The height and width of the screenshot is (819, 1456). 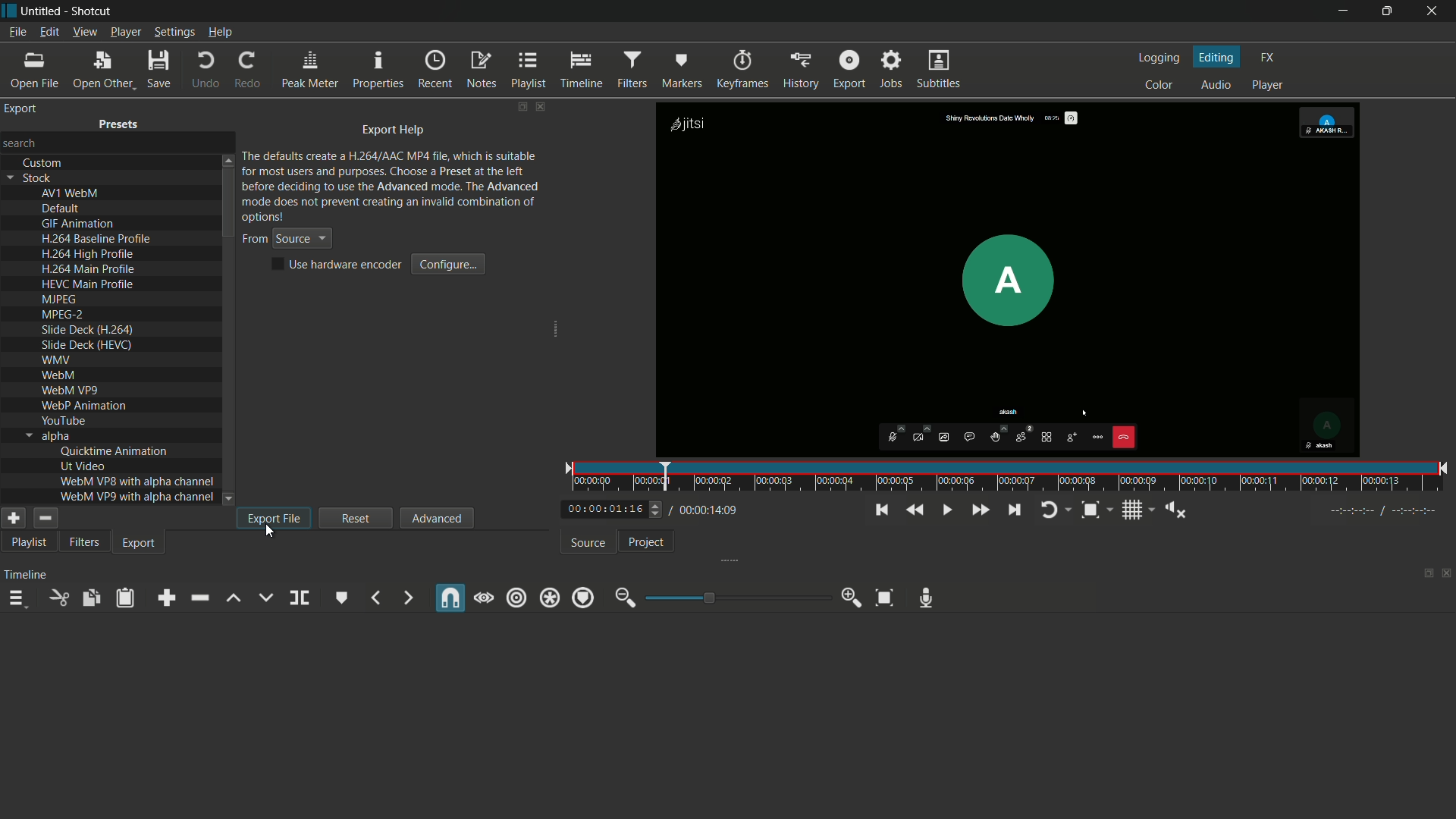 I want to click on text, so click(x=59, y=298).